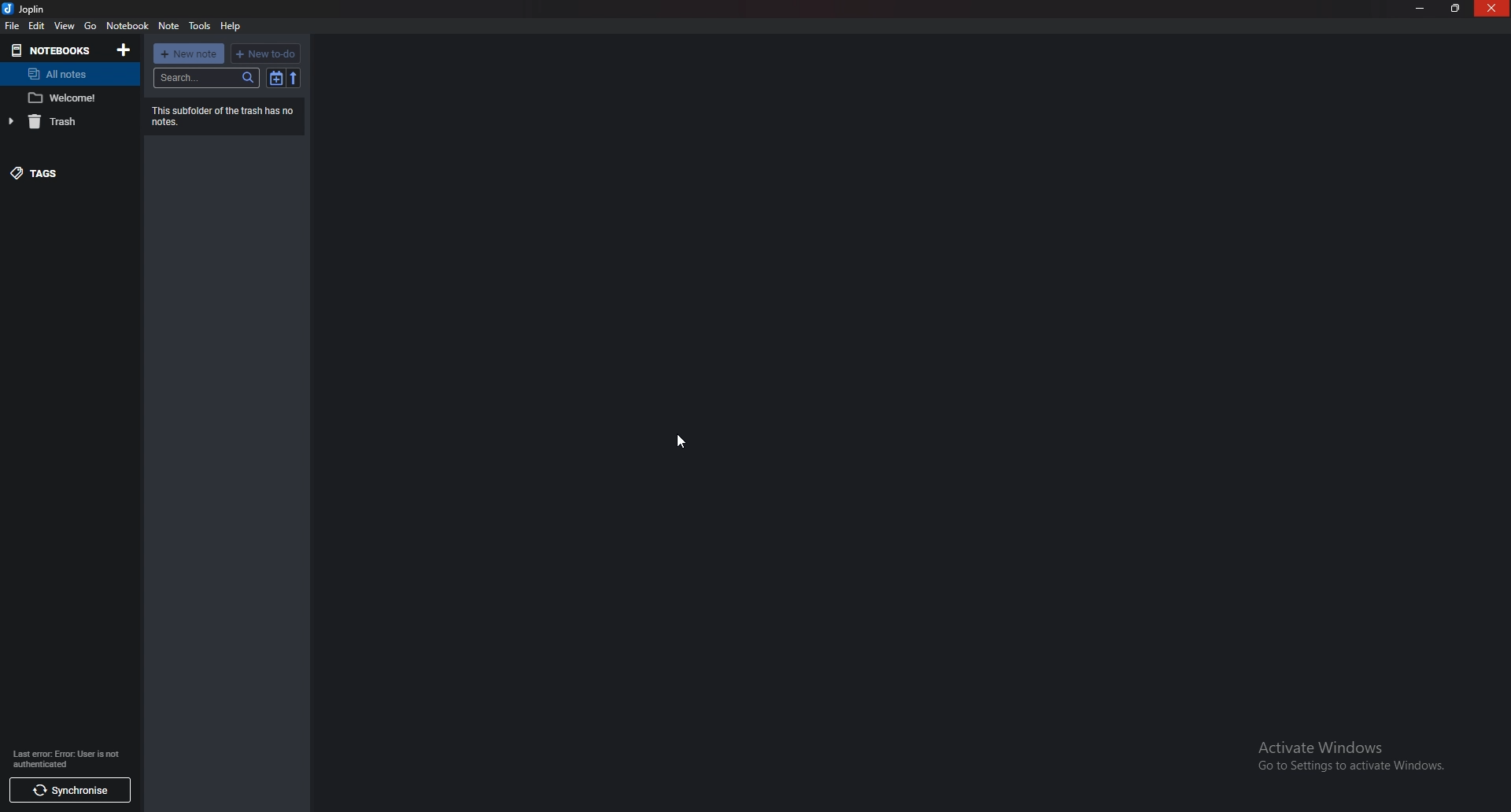  I want to click on help, so click(231, 26).